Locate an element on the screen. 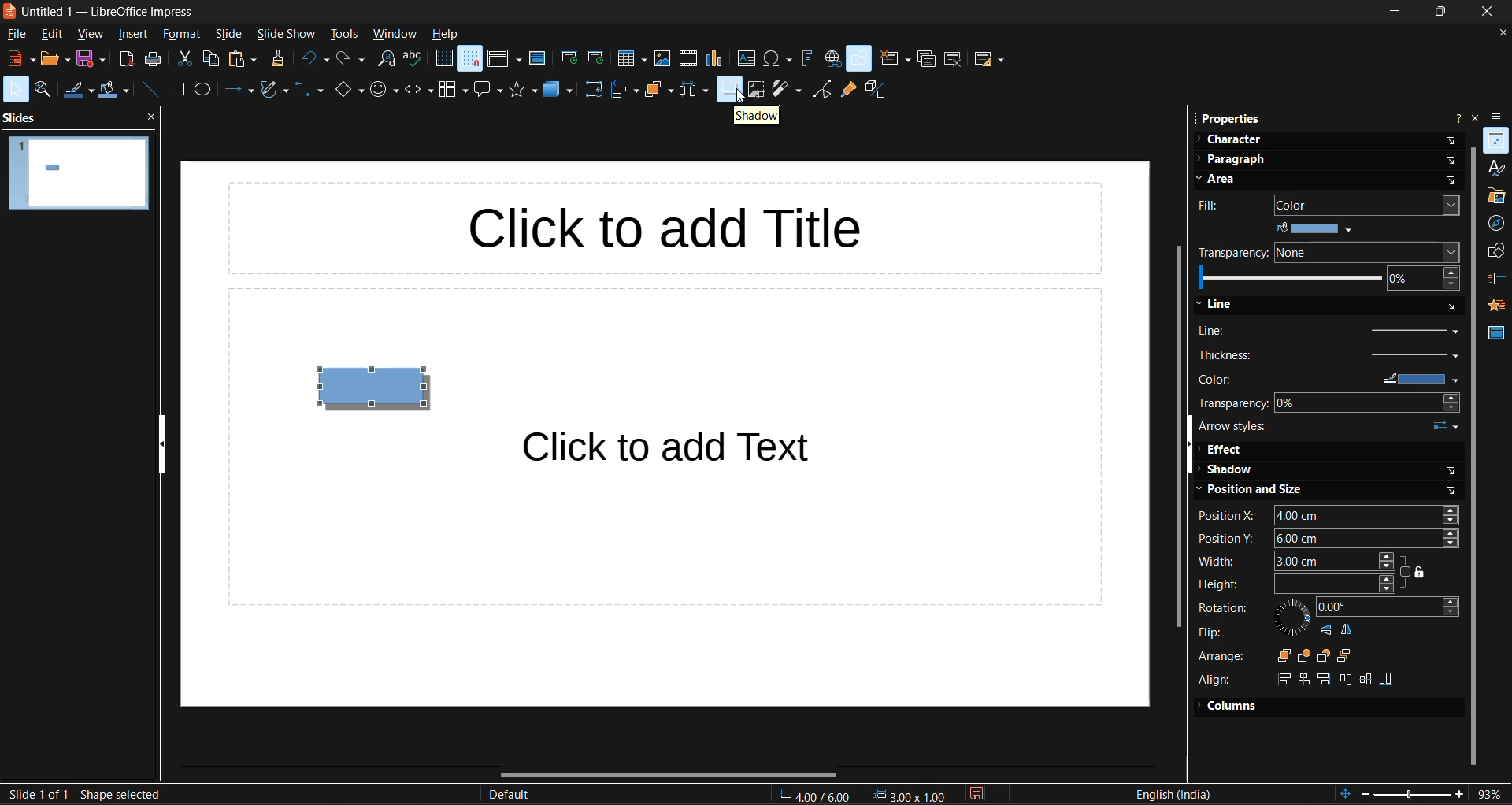 This screenshot has width=1512, height=805. area is located at coordinates (1225, 180).